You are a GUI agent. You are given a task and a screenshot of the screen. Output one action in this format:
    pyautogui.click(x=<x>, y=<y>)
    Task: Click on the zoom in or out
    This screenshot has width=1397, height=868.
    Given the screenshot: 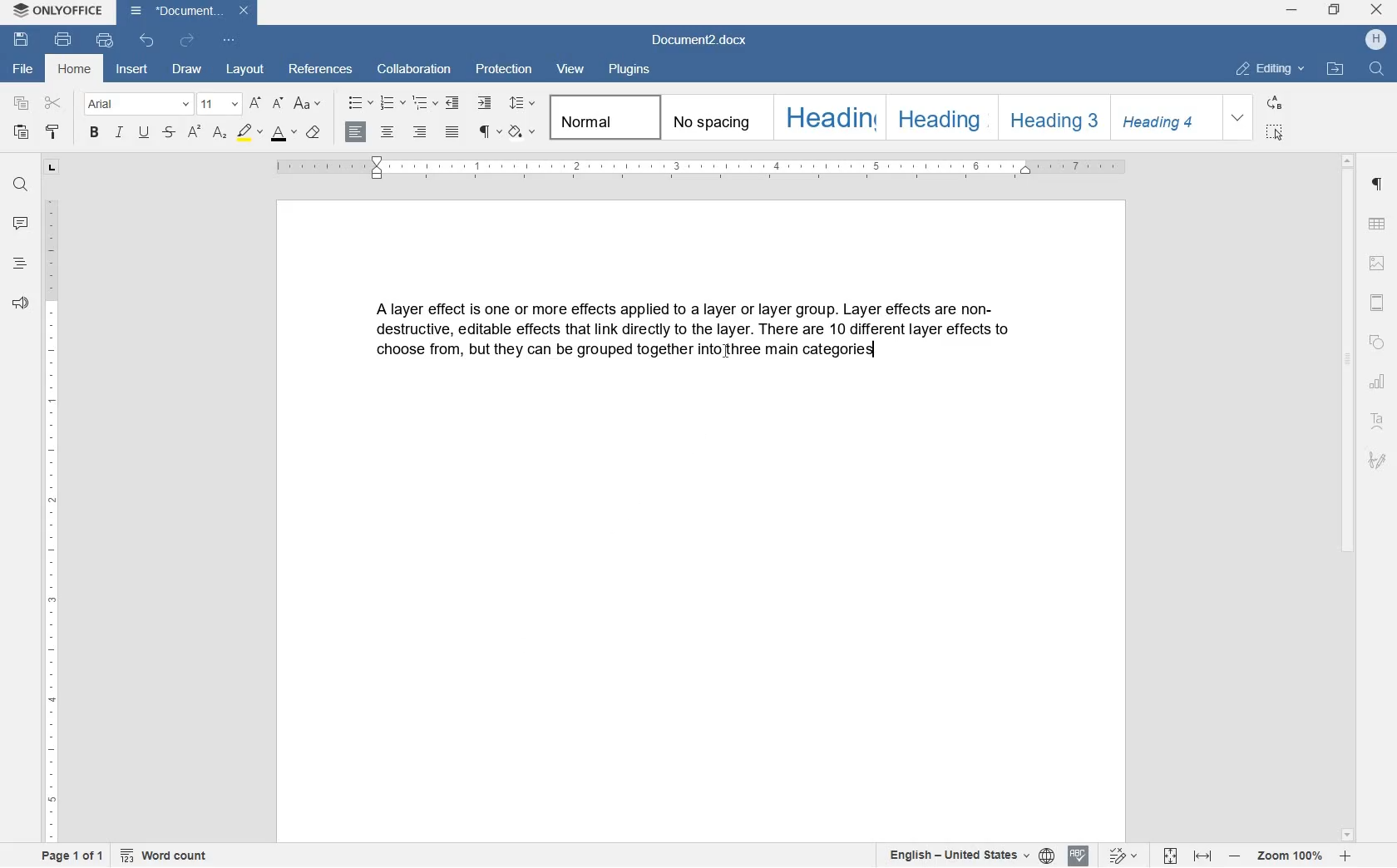 What is the action you would take?
    pyautogui.click(x=1289, y=857)
    